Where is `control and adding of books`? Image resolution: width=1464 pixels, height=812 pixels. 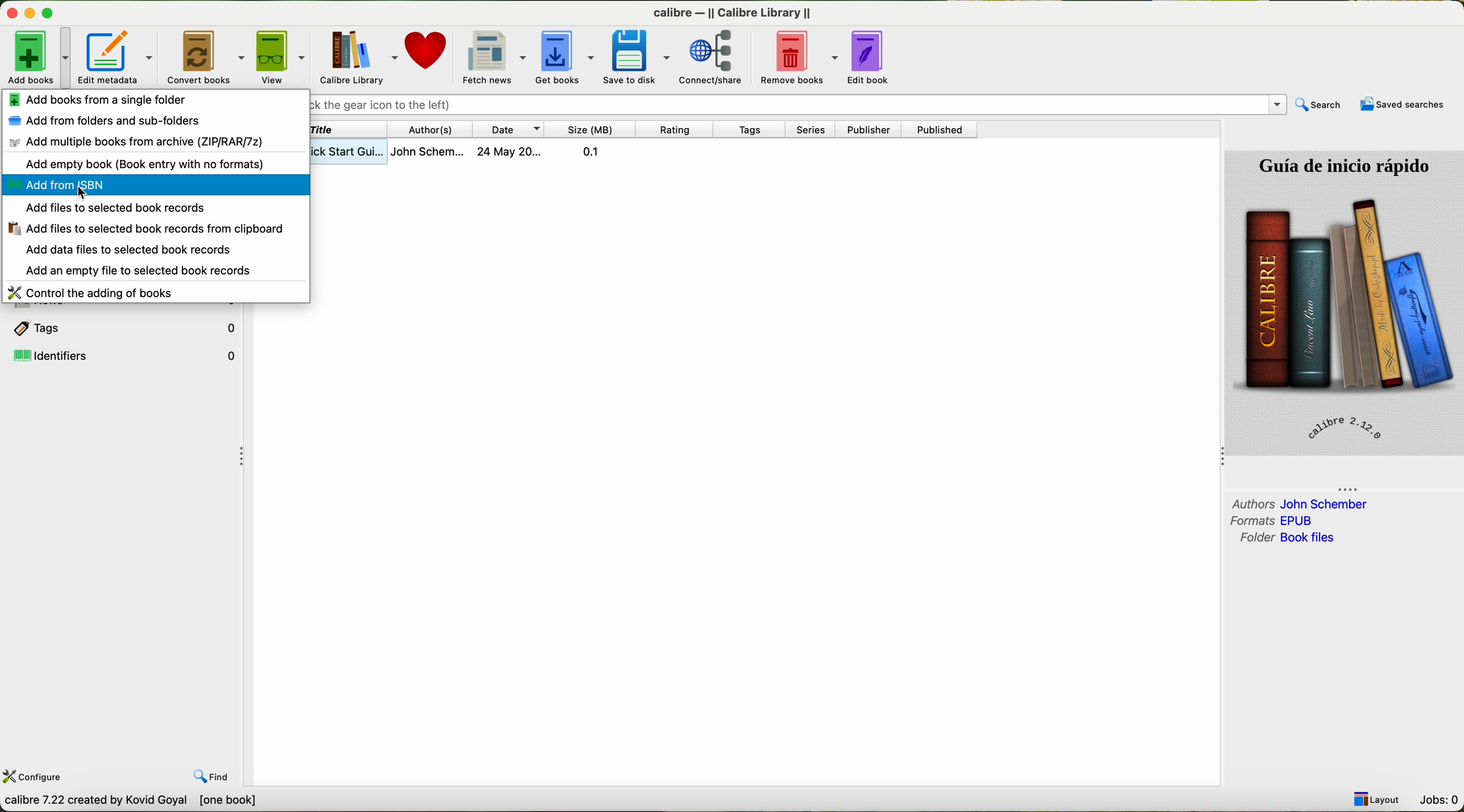
control and adding of books is located at coordinates (90, 292).